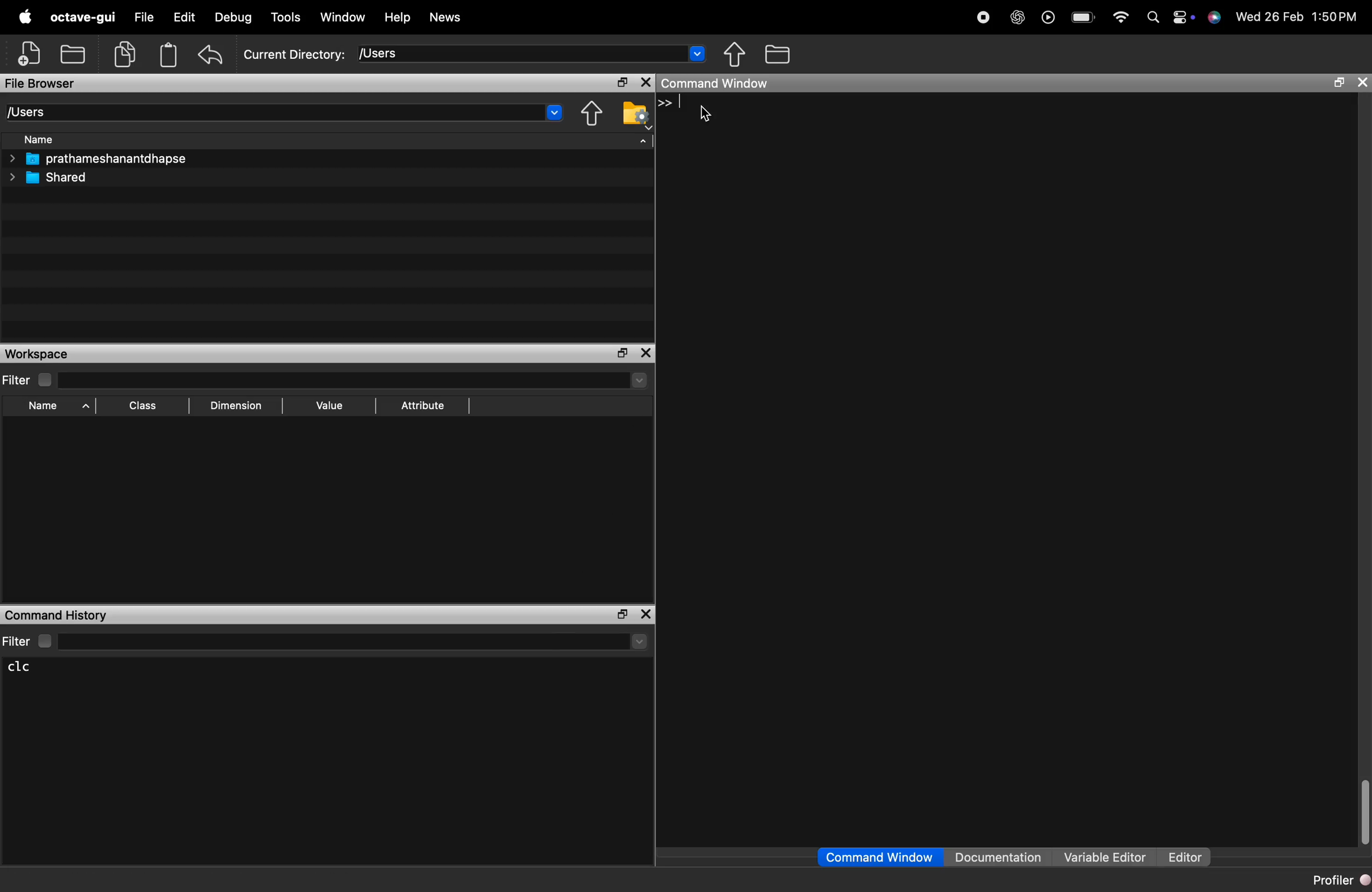 Image resolution: width=1372 pixels, height=892 pixels. Describe the element at coordinates (31, 54) in the screenshot. I see `New script` at that location.